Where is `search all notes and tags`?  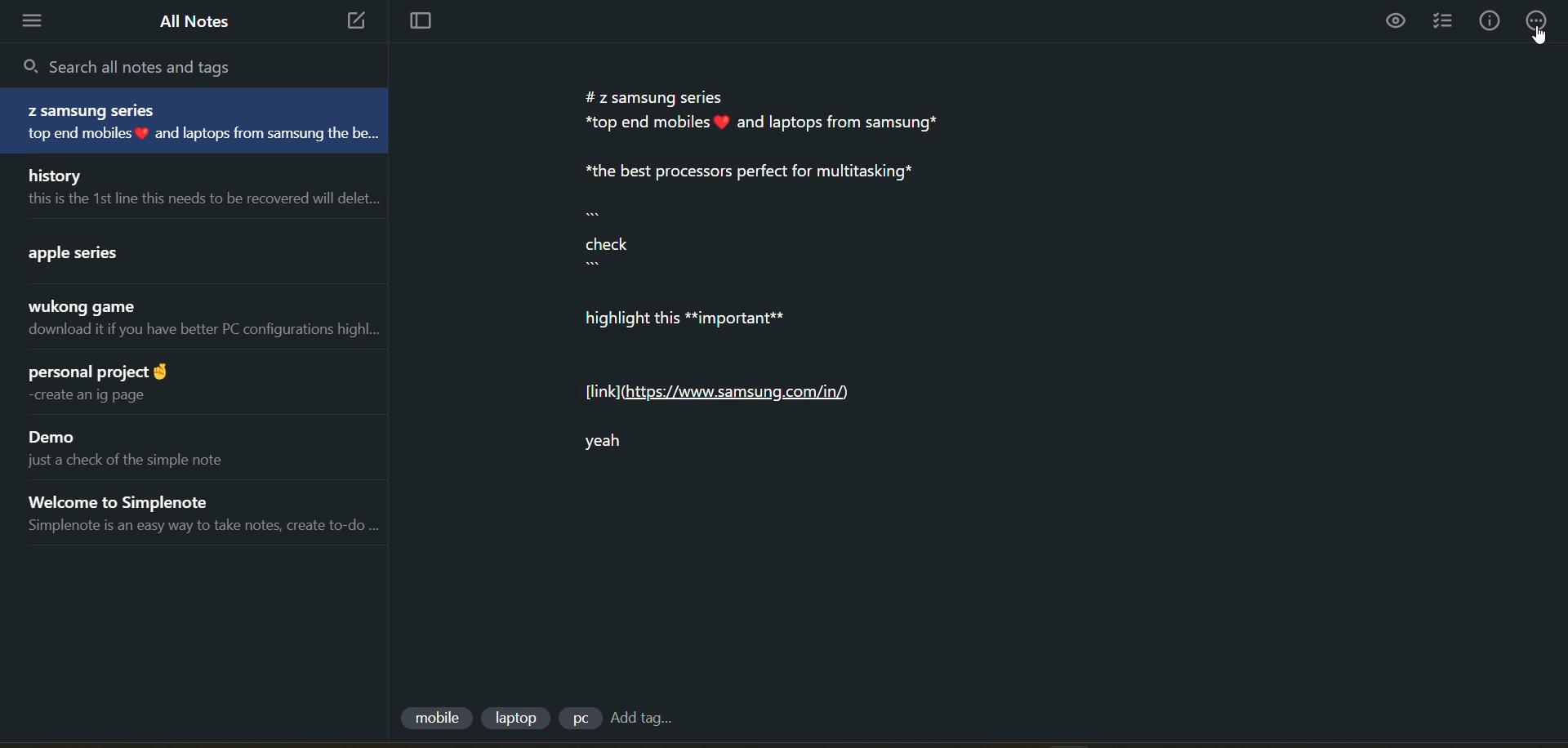
search all notes and tags is located at coordinates (139, 65).